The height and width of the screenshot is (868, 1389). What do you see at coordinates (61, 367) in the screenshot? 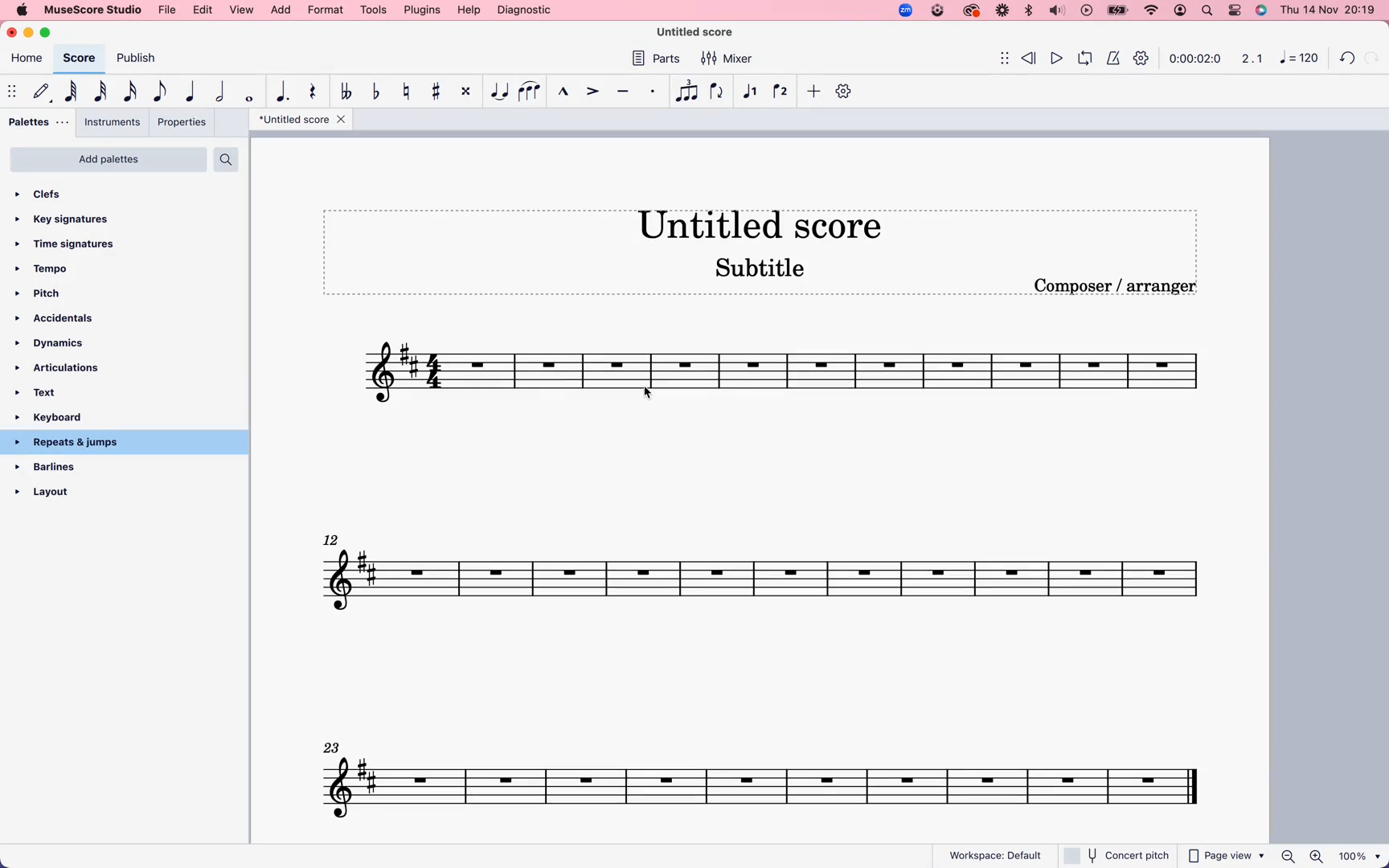
I see `articulations` at bounding box center [61, 367].